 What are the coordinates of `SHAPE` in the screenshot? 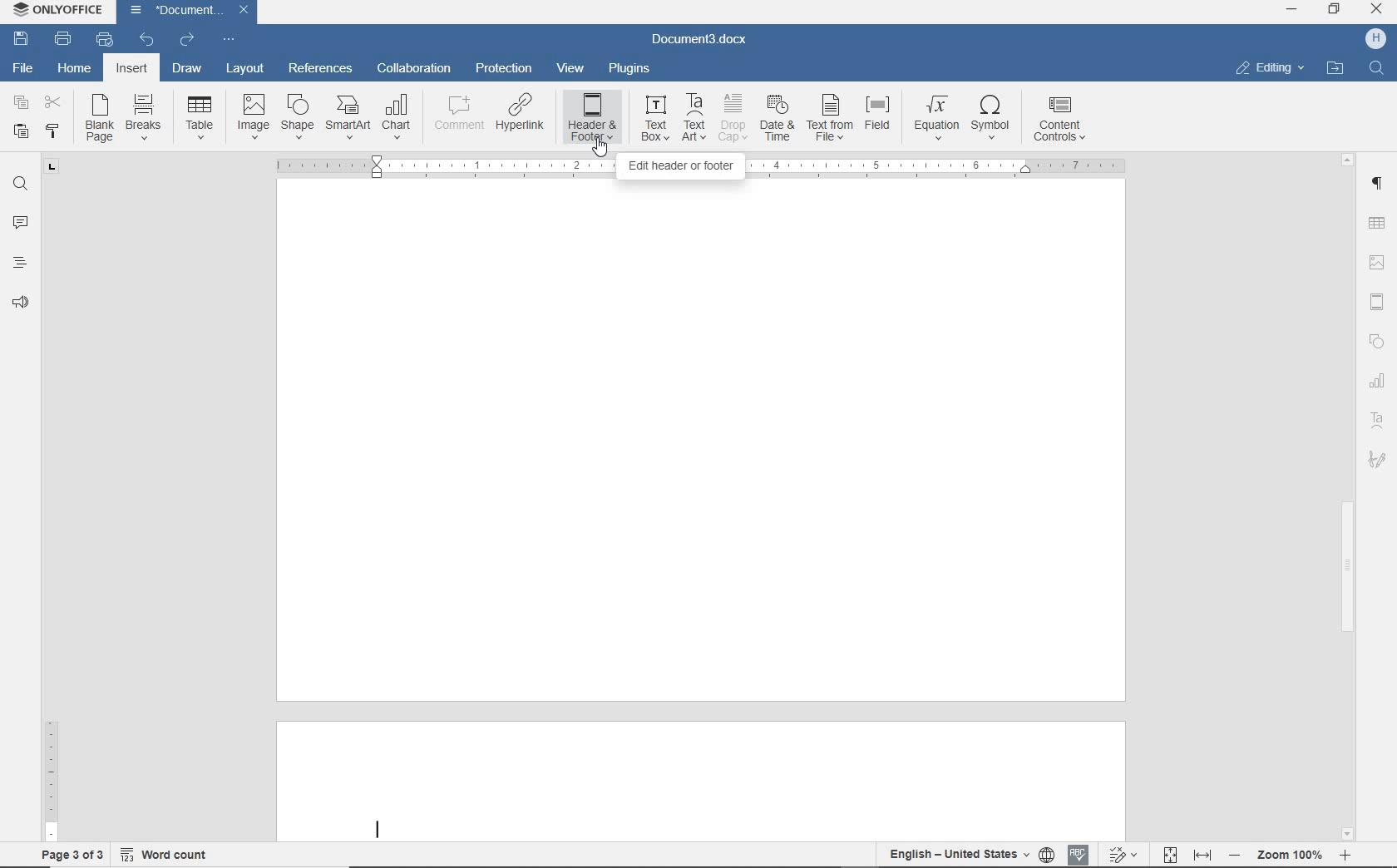 It's located at (297, 119).